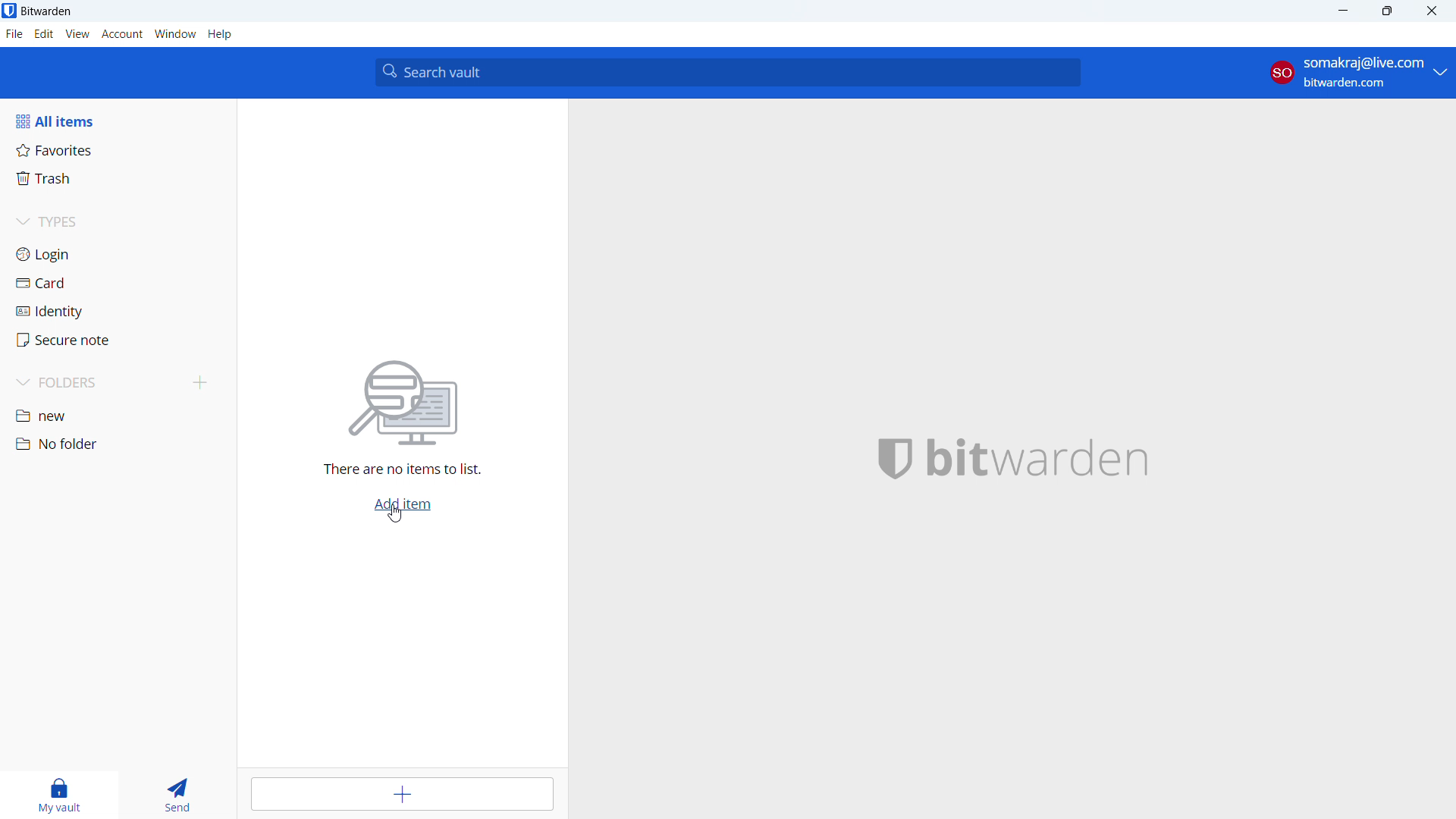 Image resolution: width=1456 pixels, height=819 pixels. What do you see at coordinates (55, 795) in the screenshot?
I see `my vault` at bounding box center [55, 795].